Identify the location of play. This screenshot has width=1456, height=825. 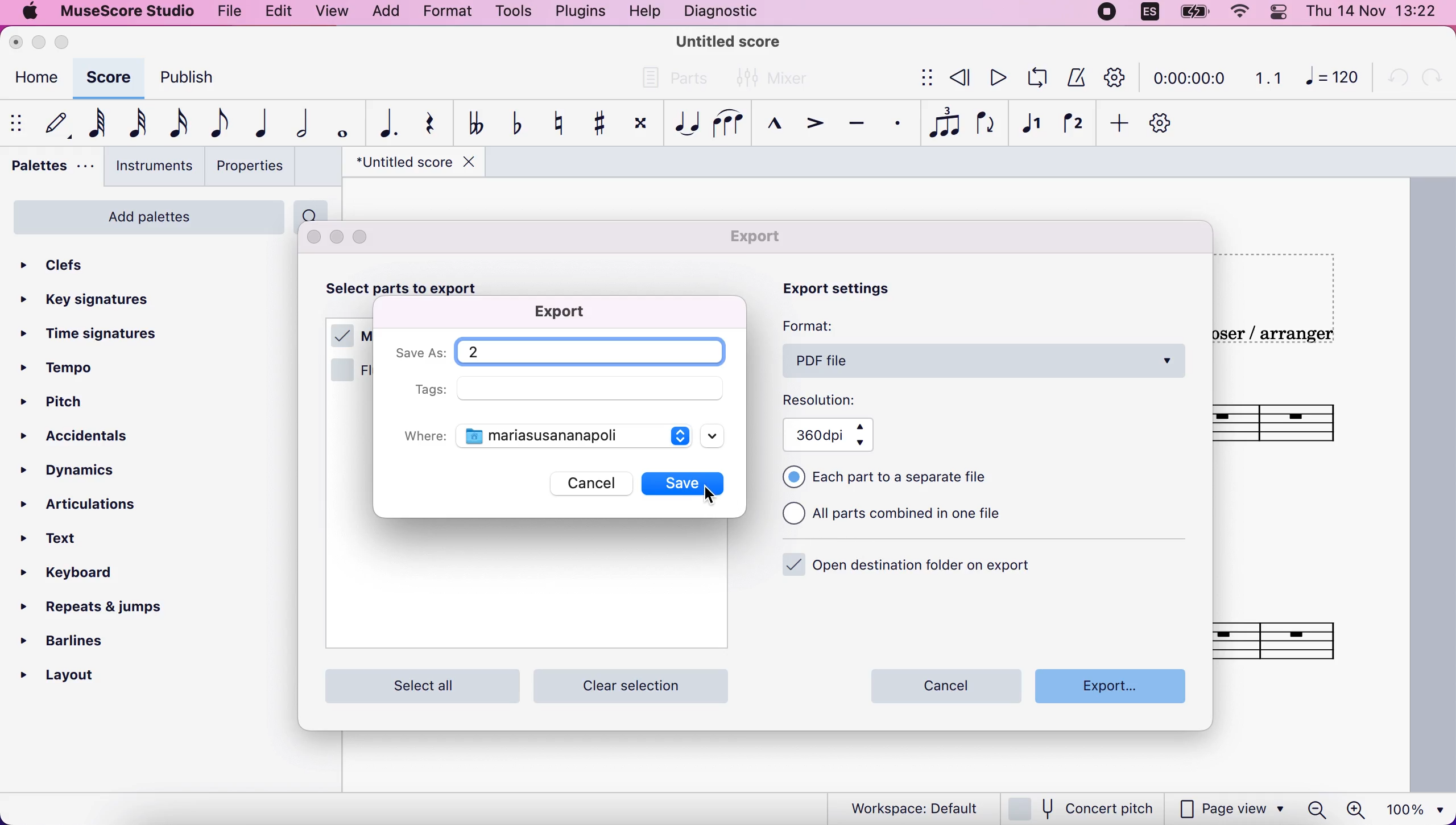
(994, 80).